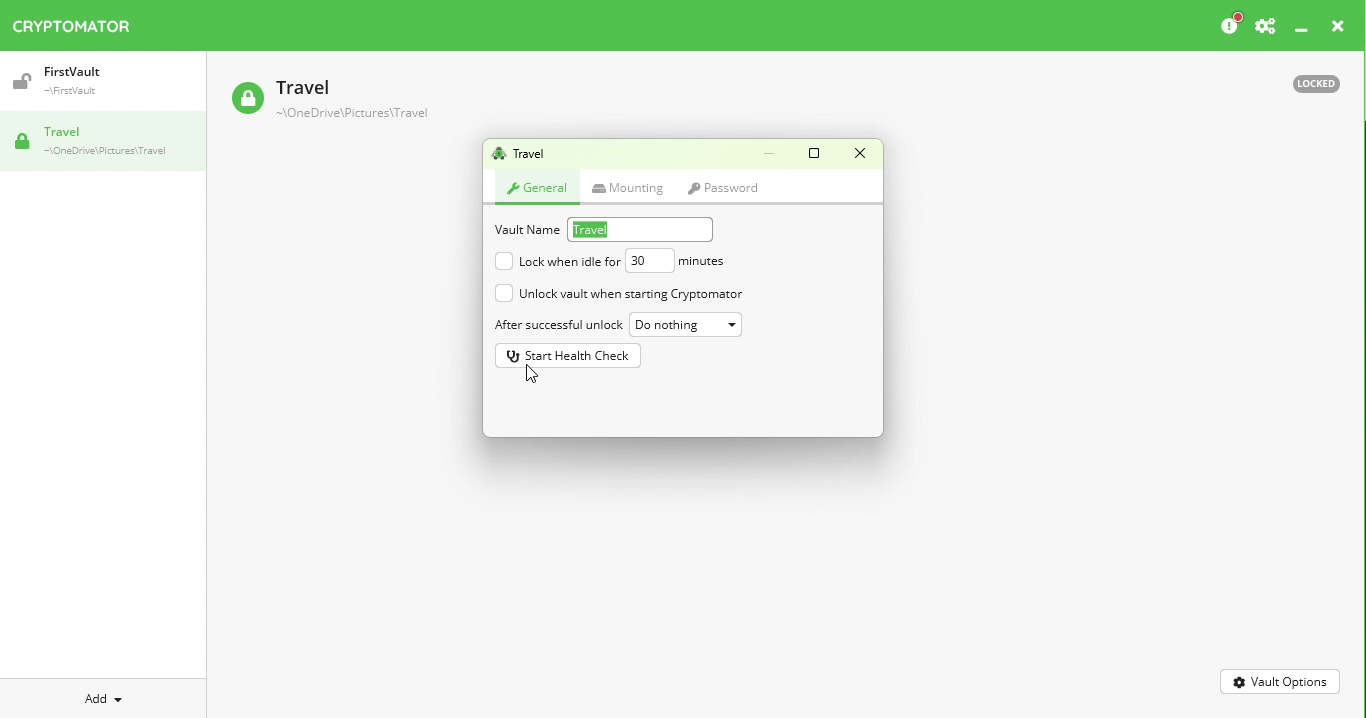 The width and height of the screenshot is (1366, 718). Describe the element at coordinates (645, 261) in the screenshot. I see `30` at that location.